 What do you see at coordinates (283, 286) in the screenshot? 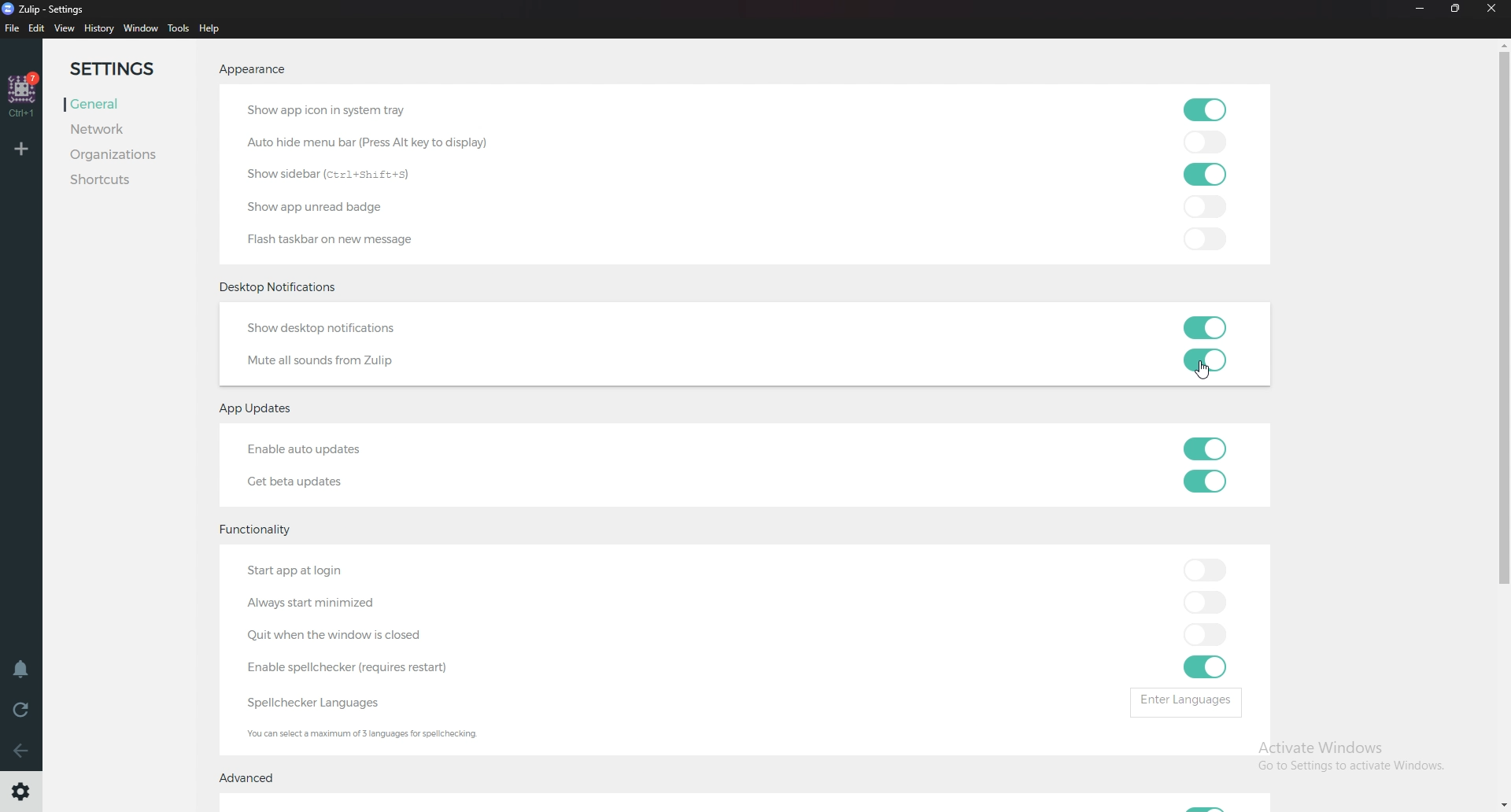
I see `Desktop notificationsDesktop notifications` at bounding box center [283, 286].